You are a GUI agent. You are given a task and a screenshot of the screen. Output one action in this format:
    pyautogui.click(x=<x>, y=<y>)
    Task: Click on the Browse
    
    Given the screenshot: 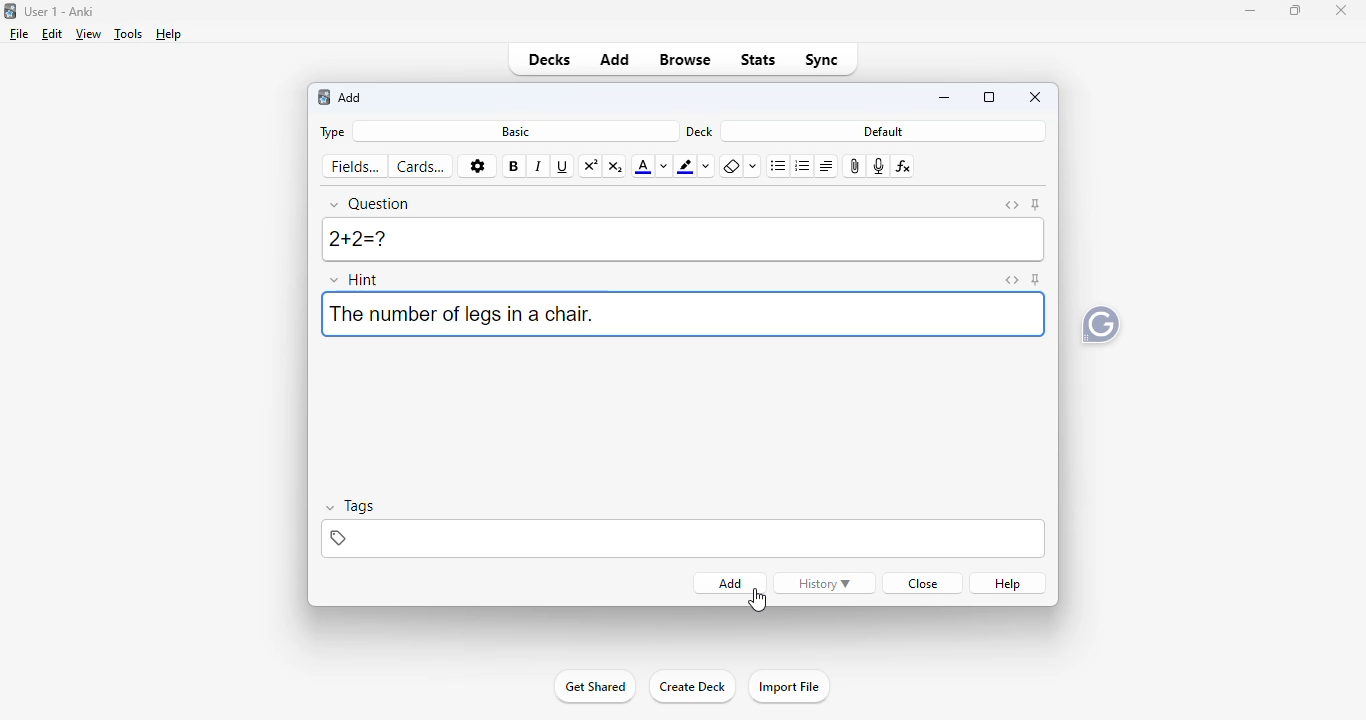 What is the action you would take?
    pyautogui.click(x=686, y=59)
    